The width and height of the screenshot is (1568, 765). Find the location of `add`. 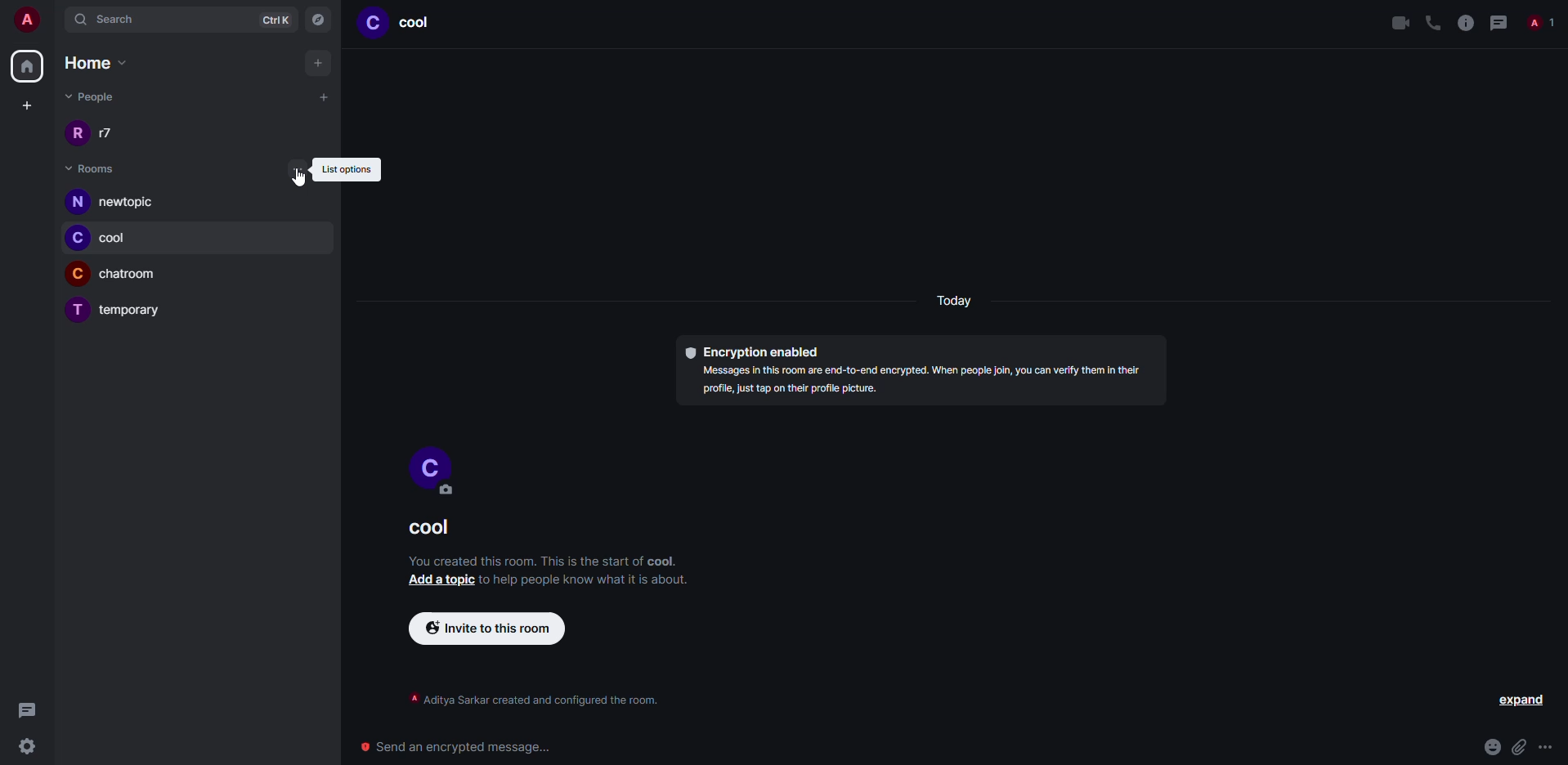

add is located at coordinates (320, 98).